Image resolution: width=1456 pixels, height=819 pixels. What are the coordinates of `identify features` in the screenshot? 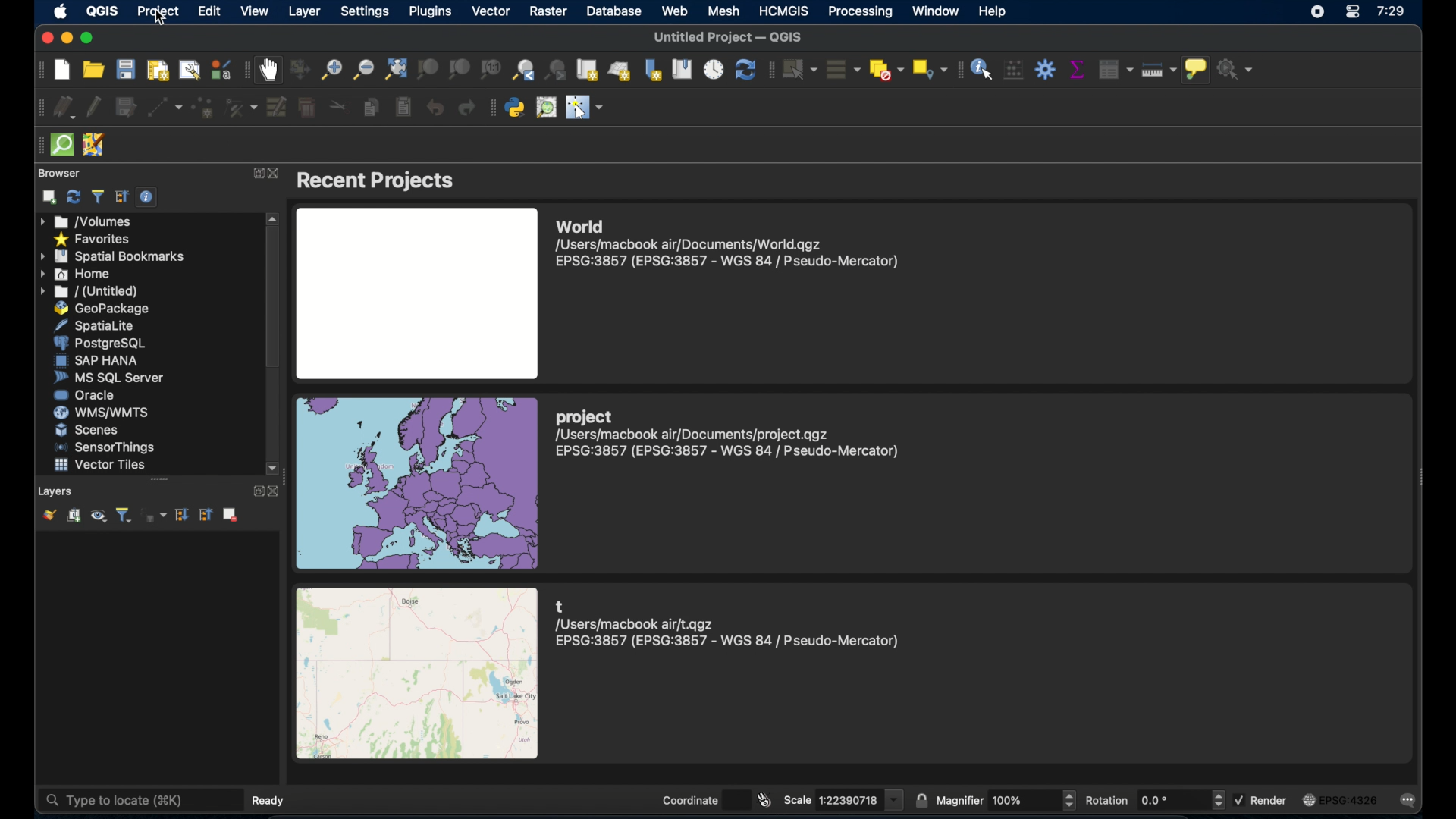 It's located at (984, 71).